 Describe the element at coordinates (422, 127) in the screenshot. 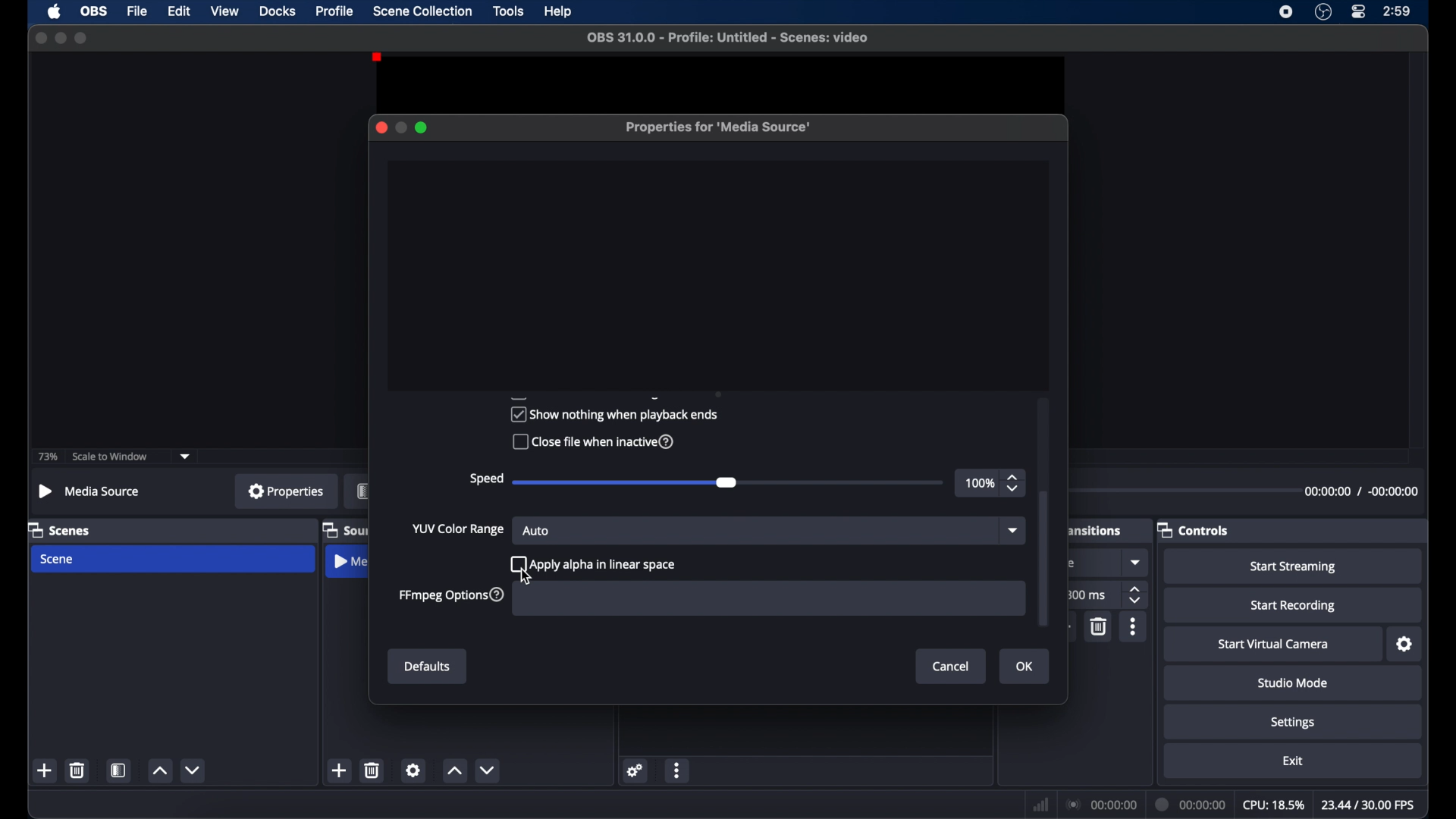

I see `maximize` at that location.